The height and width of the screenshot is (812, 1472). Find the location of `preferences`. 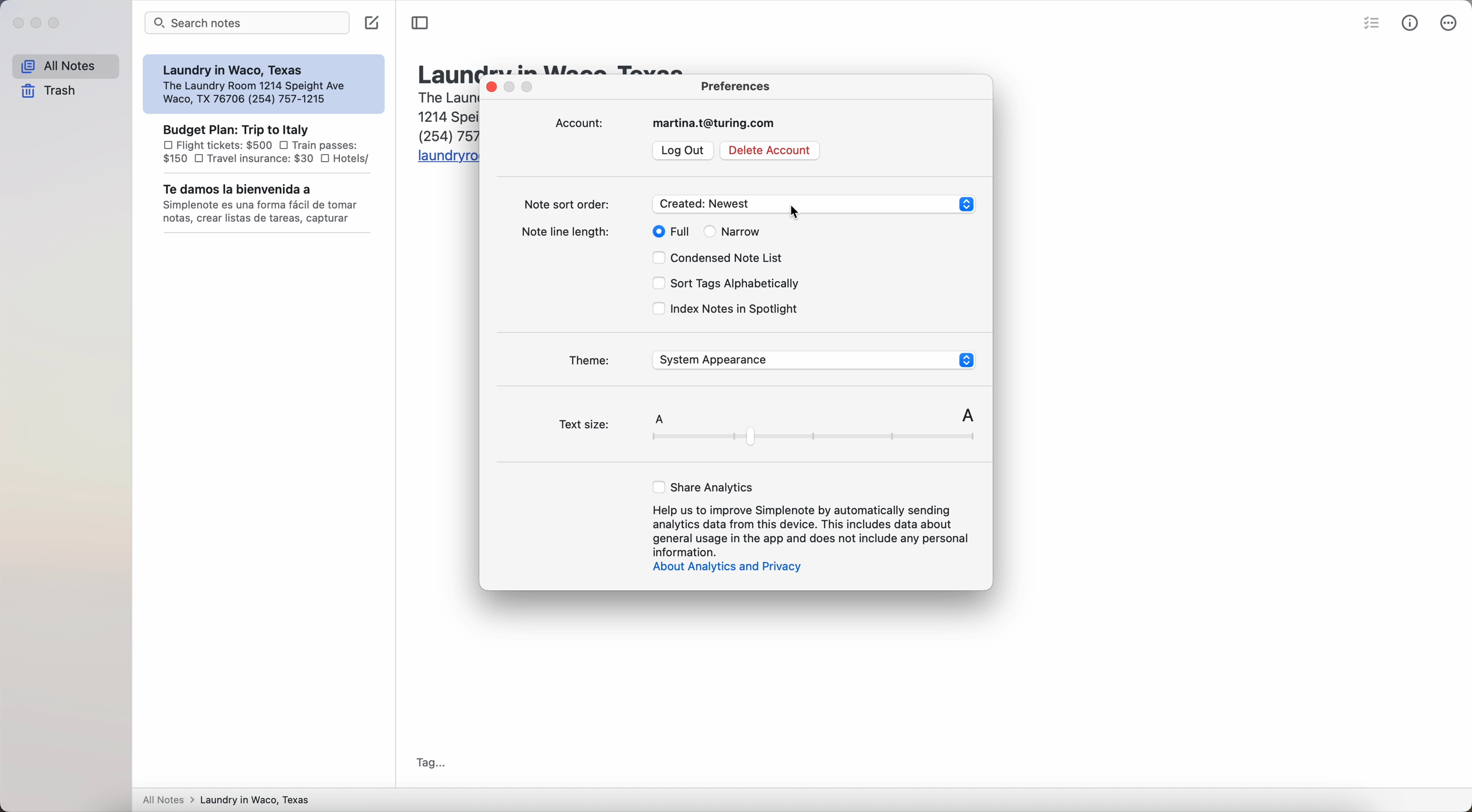

preferences is located at coordinates (737, 85).